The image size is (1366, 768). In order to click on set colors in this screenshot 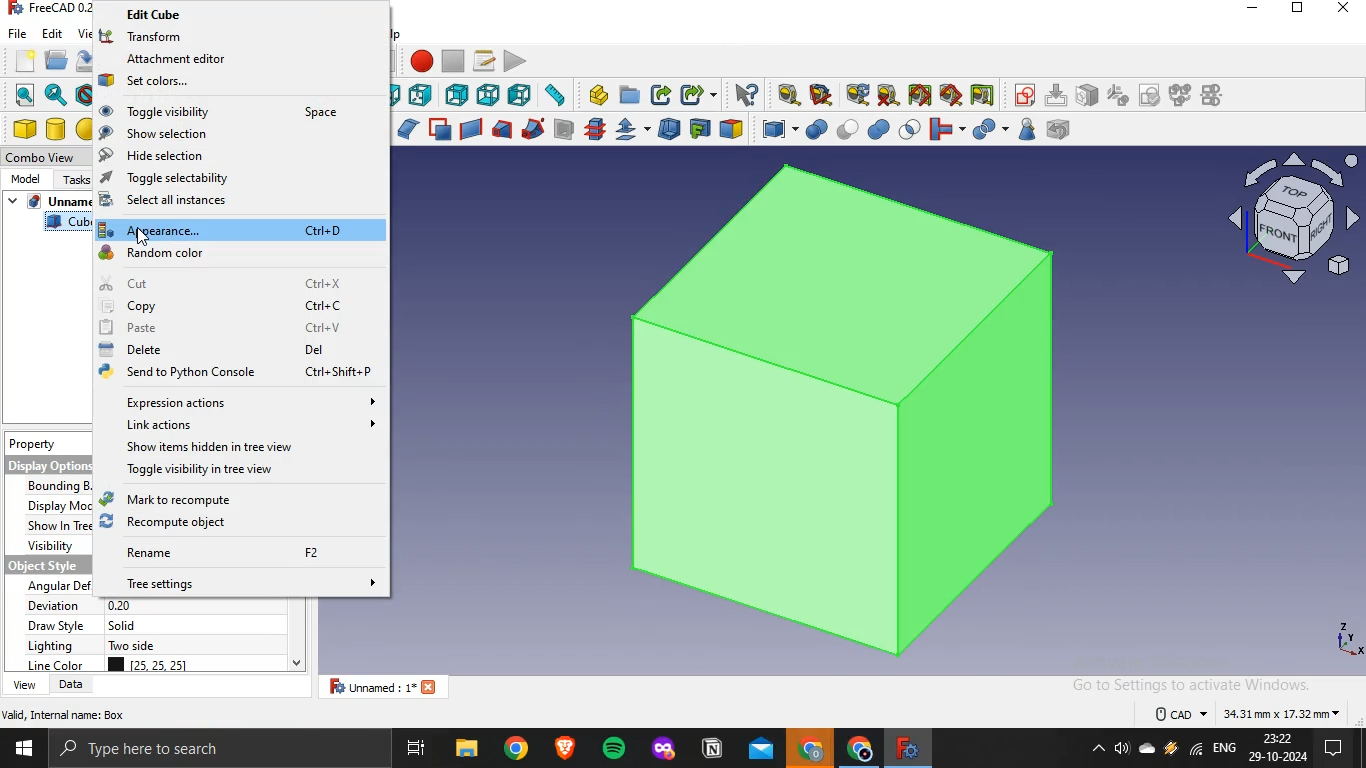, I will do `click(229, 80)`.